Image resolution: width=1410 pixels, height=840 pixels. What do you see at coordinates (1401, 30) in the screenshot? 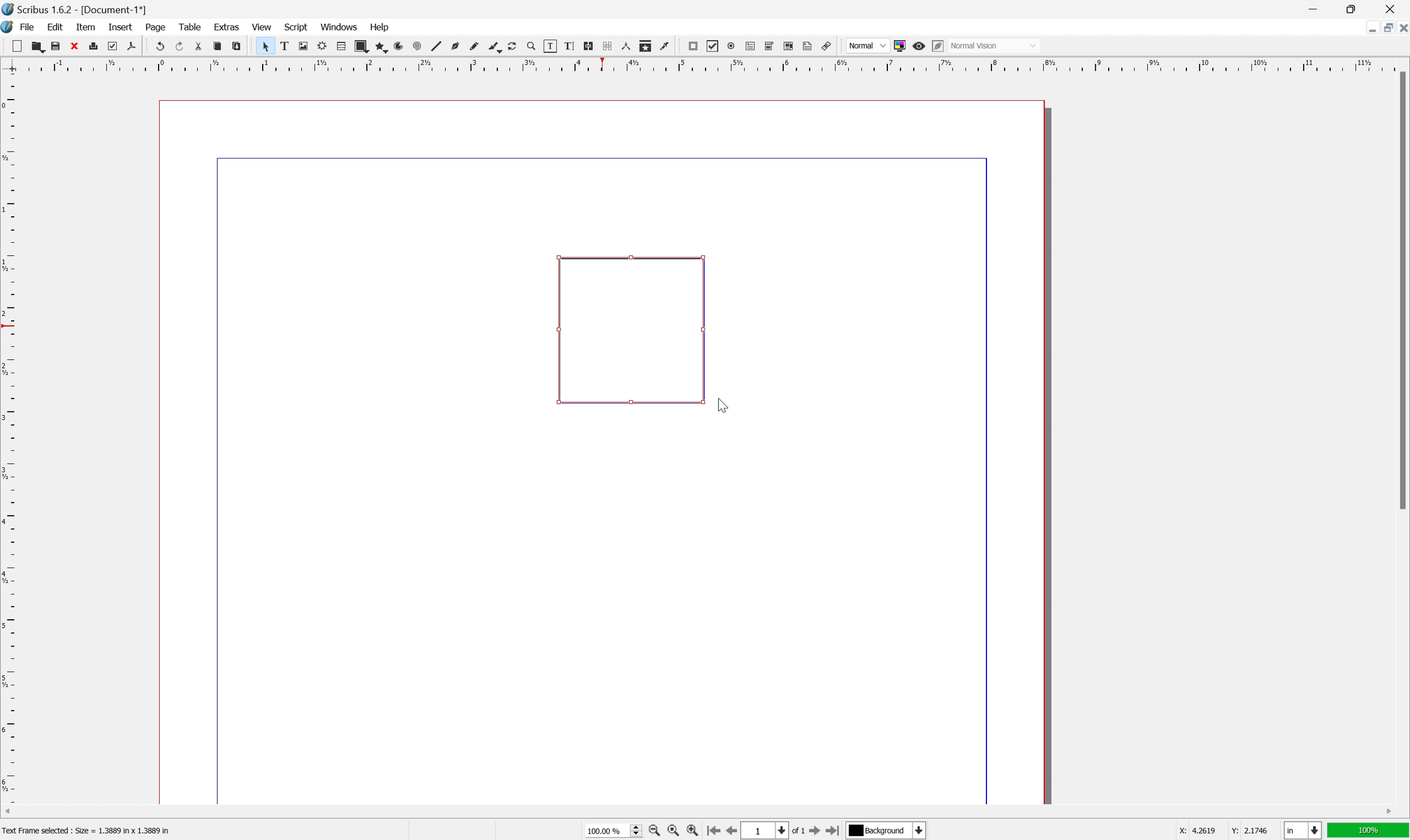
I see `close` at bounding box center [1401, 30].